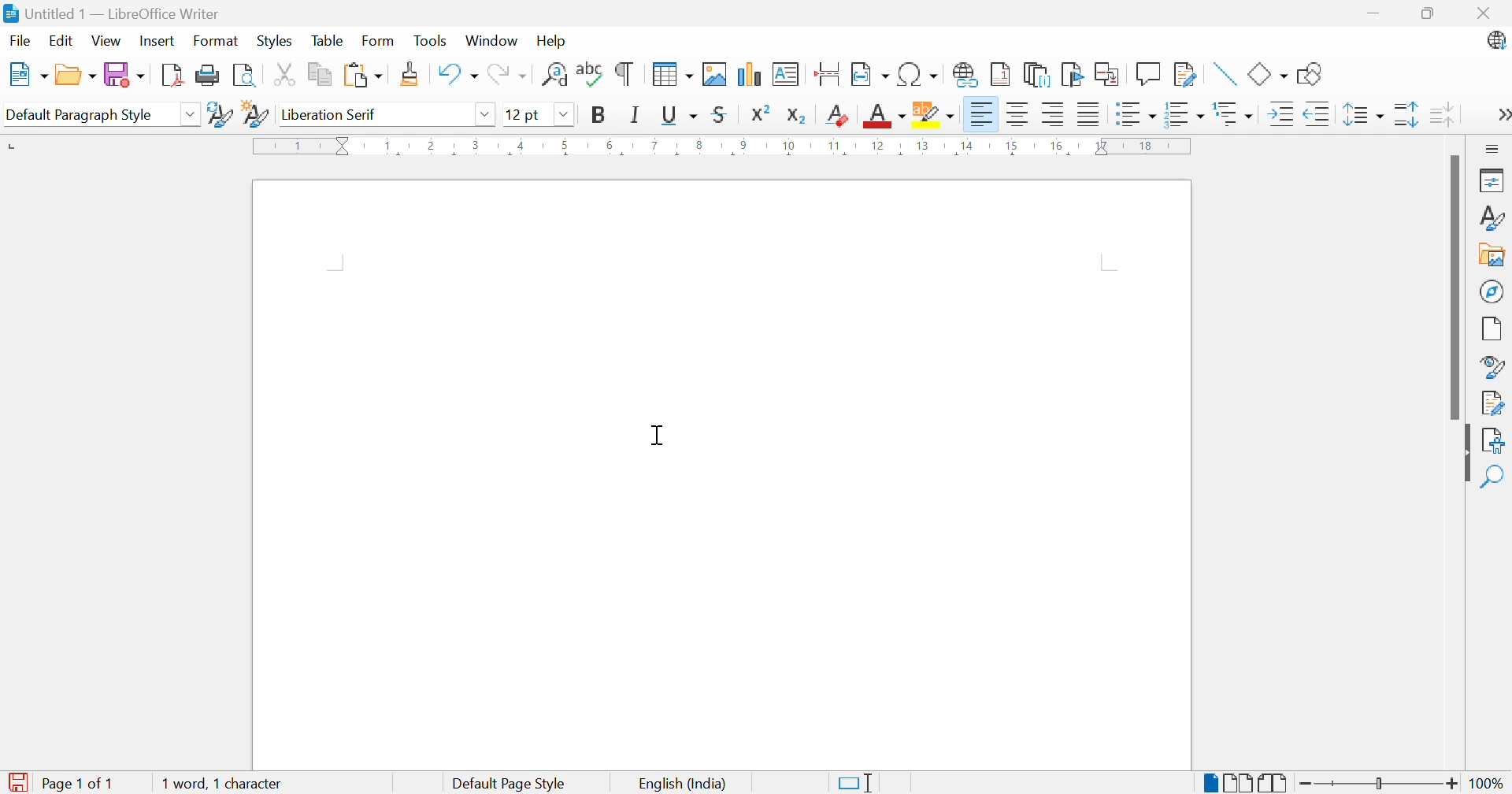 The height and width of the screenshot is (794, 1512). I want to click on Decrease paragraph spacing, so click(1442, 114).